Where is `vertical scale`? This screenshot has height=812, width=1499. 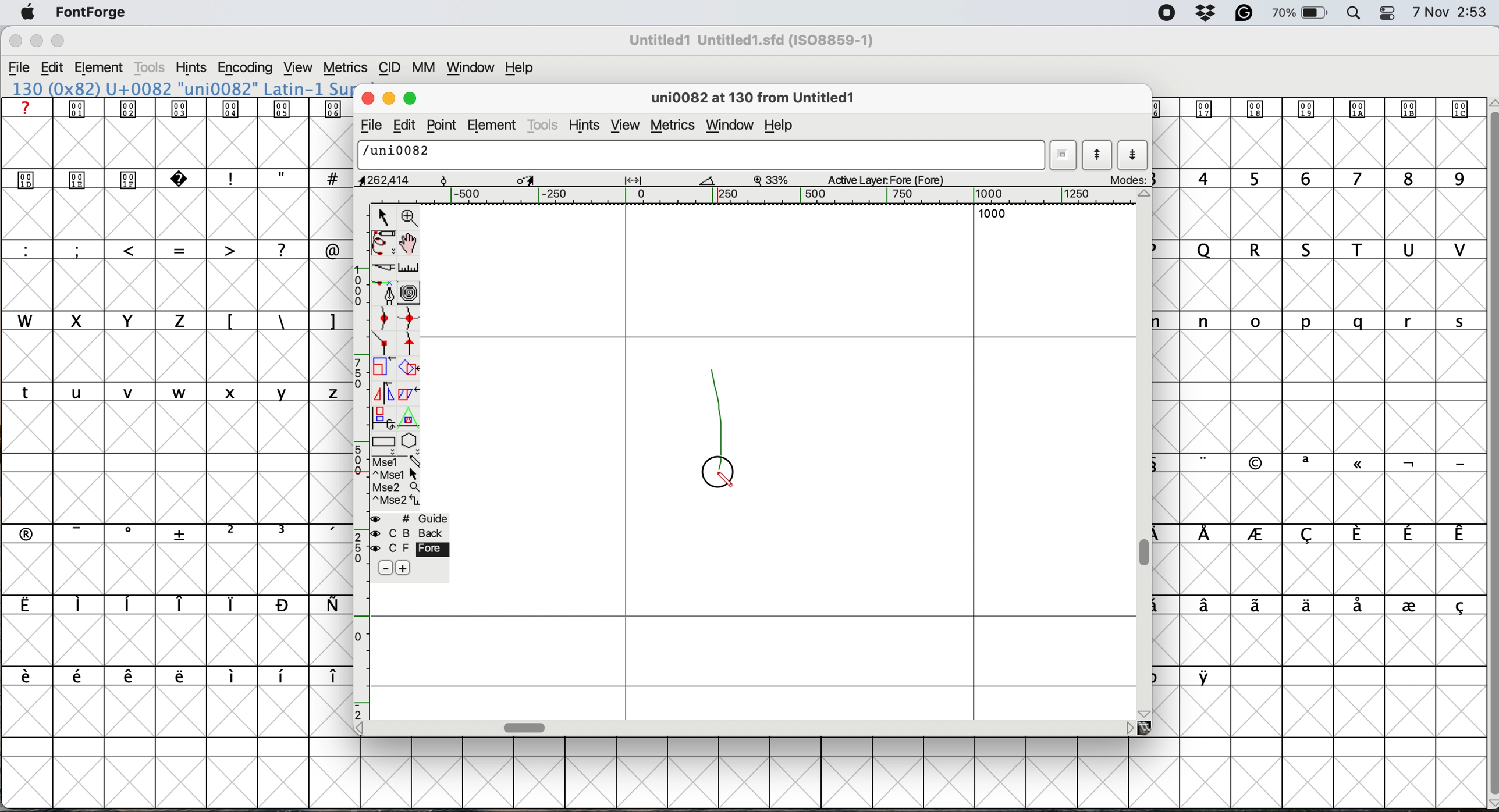
vertical scale is located at coordinates (358, 461).